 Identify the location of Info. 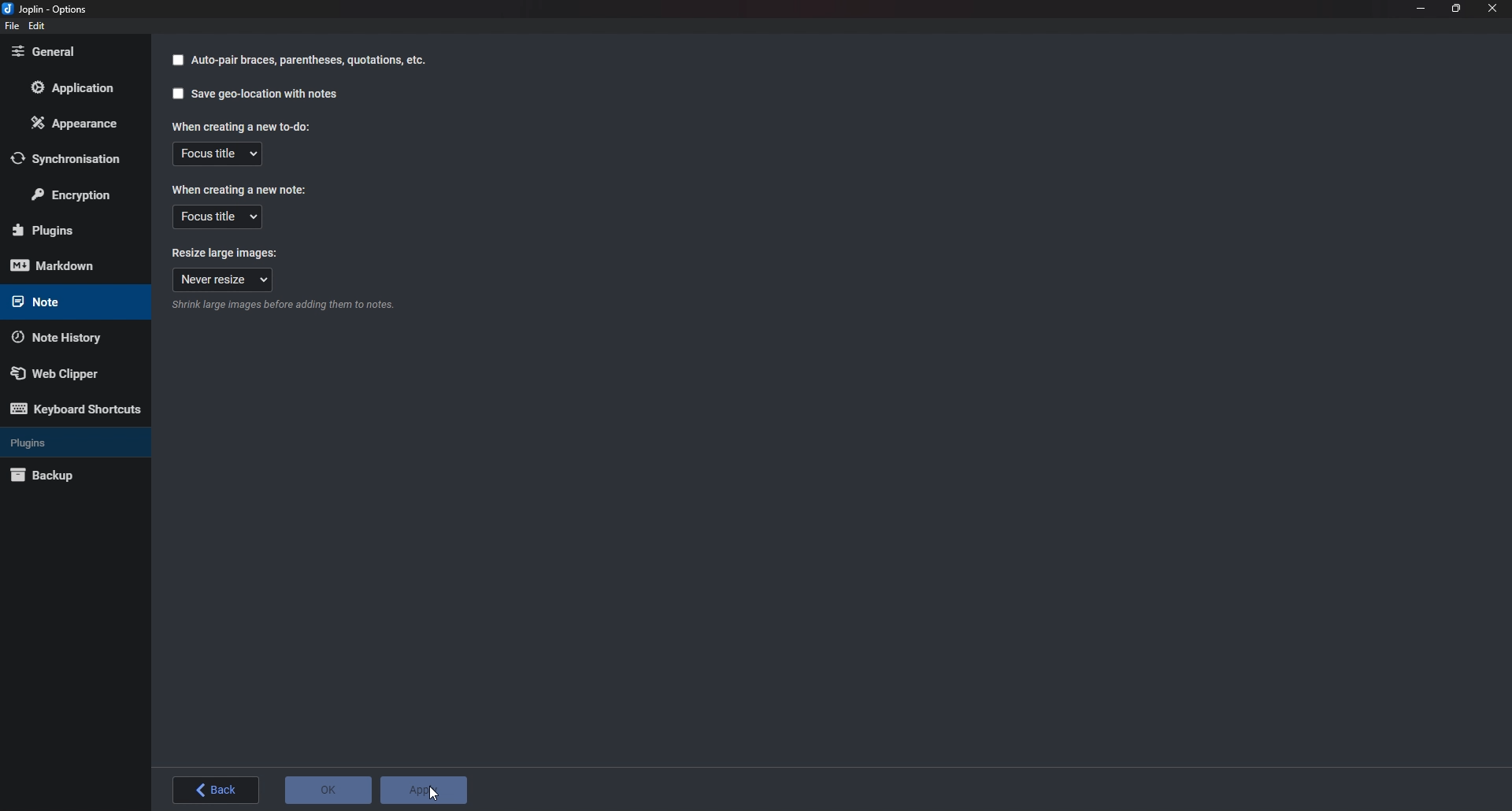
(283, 307).